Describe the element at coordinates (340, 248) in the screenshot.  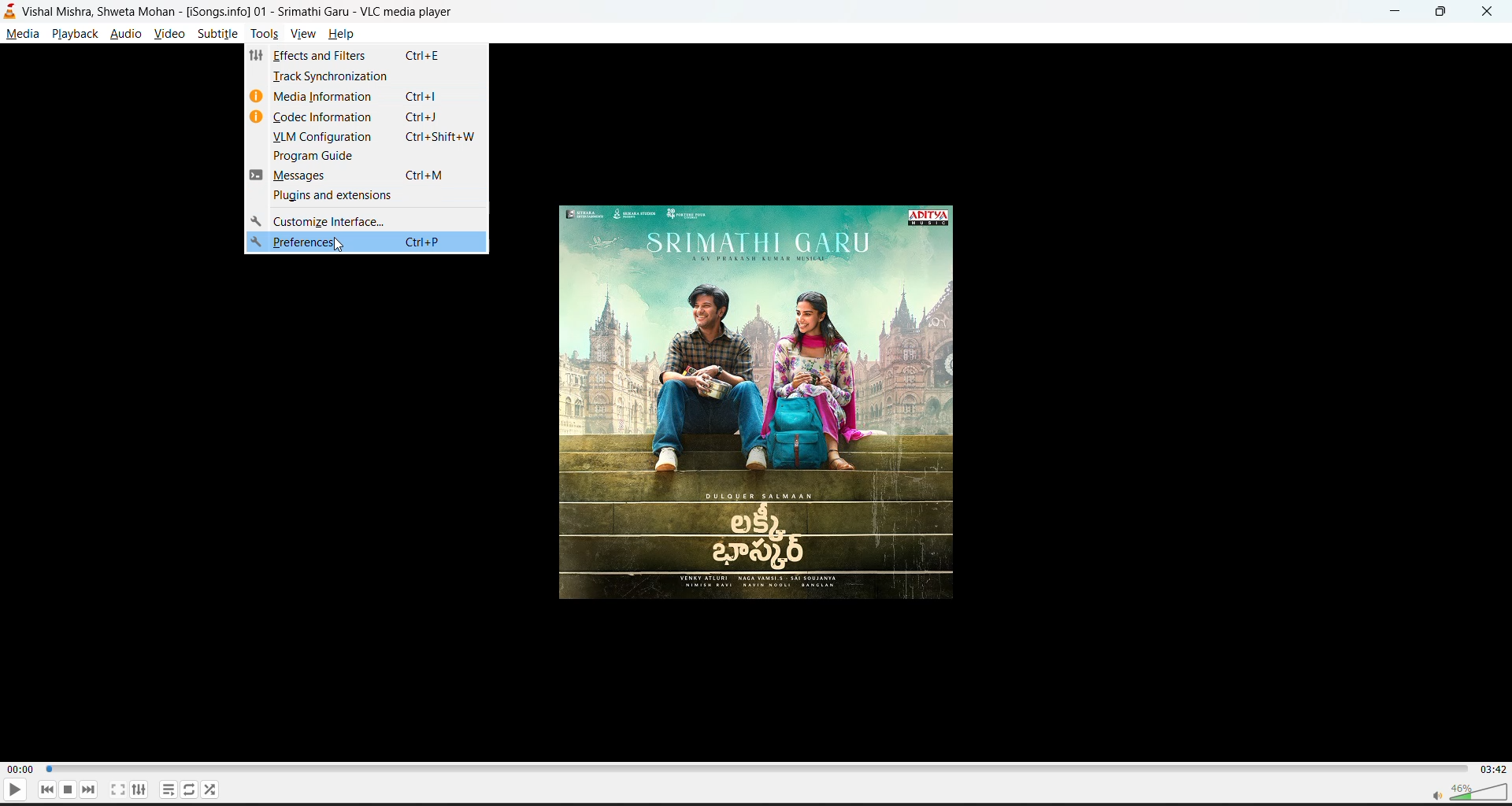
I see `cursor` at that location.